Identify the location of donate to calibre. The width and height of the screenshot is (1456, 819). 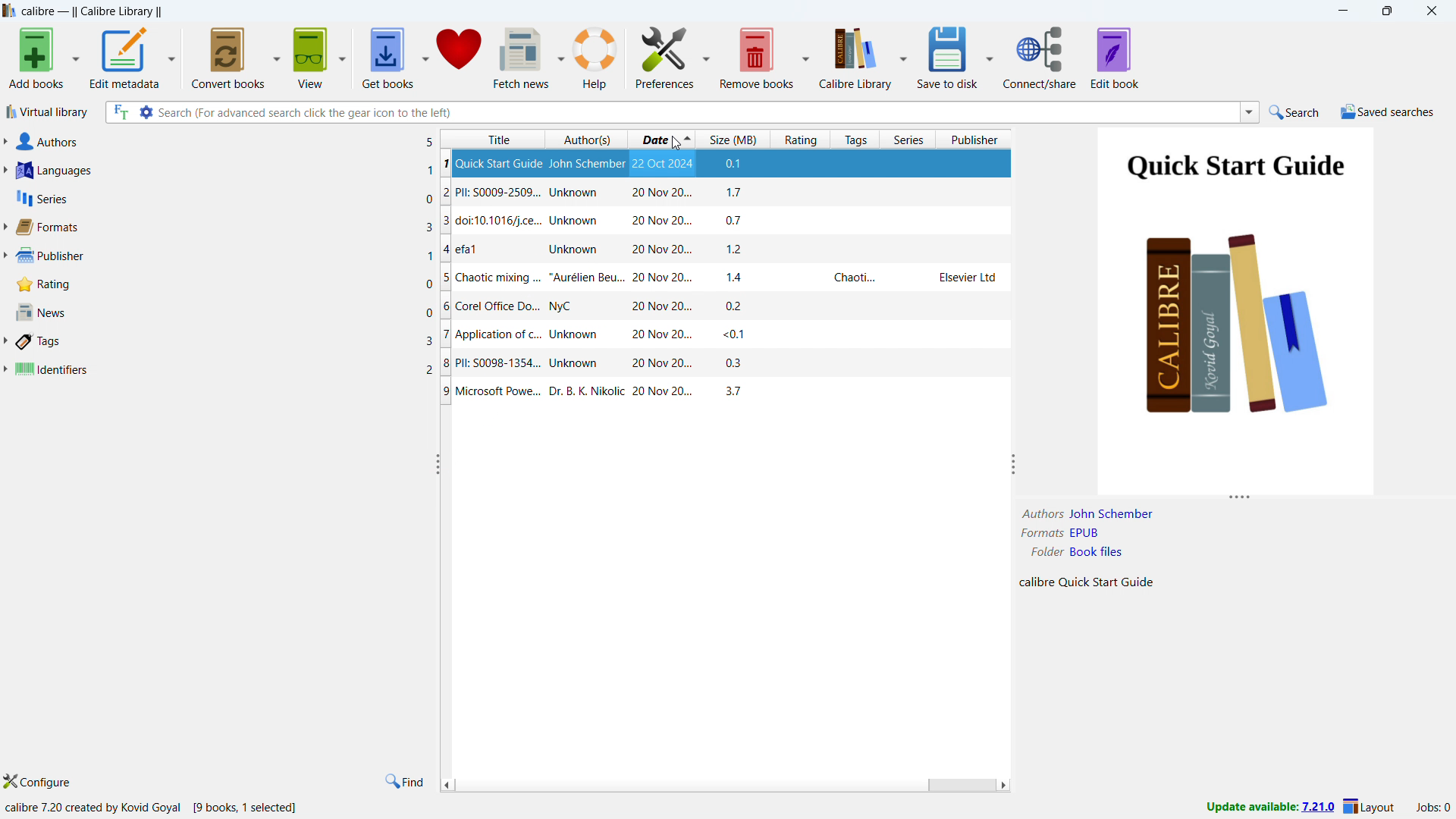
(458, 55).